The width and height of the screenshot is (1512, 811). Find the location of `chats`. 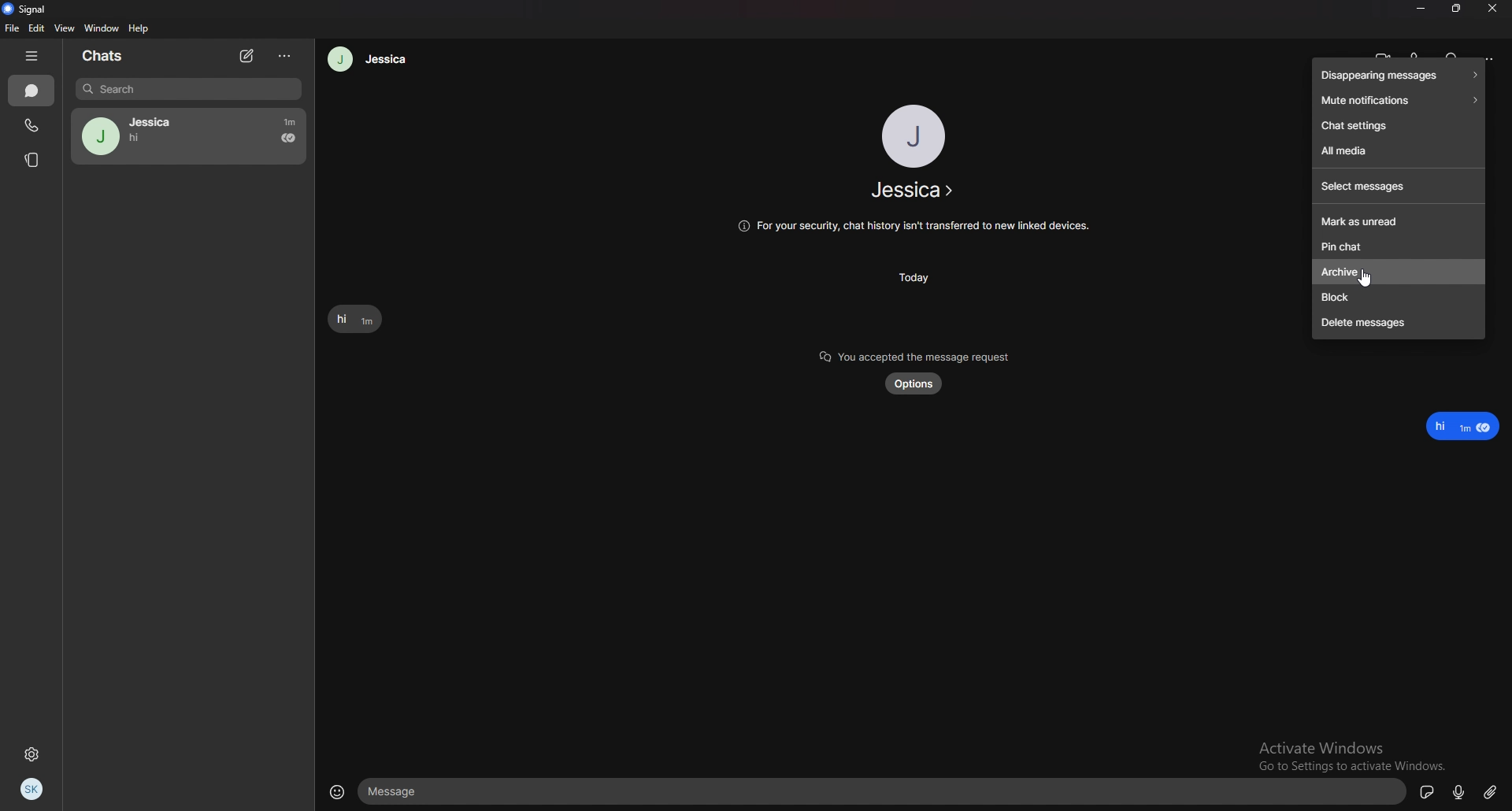

chats is located at coordinates (111, 55).